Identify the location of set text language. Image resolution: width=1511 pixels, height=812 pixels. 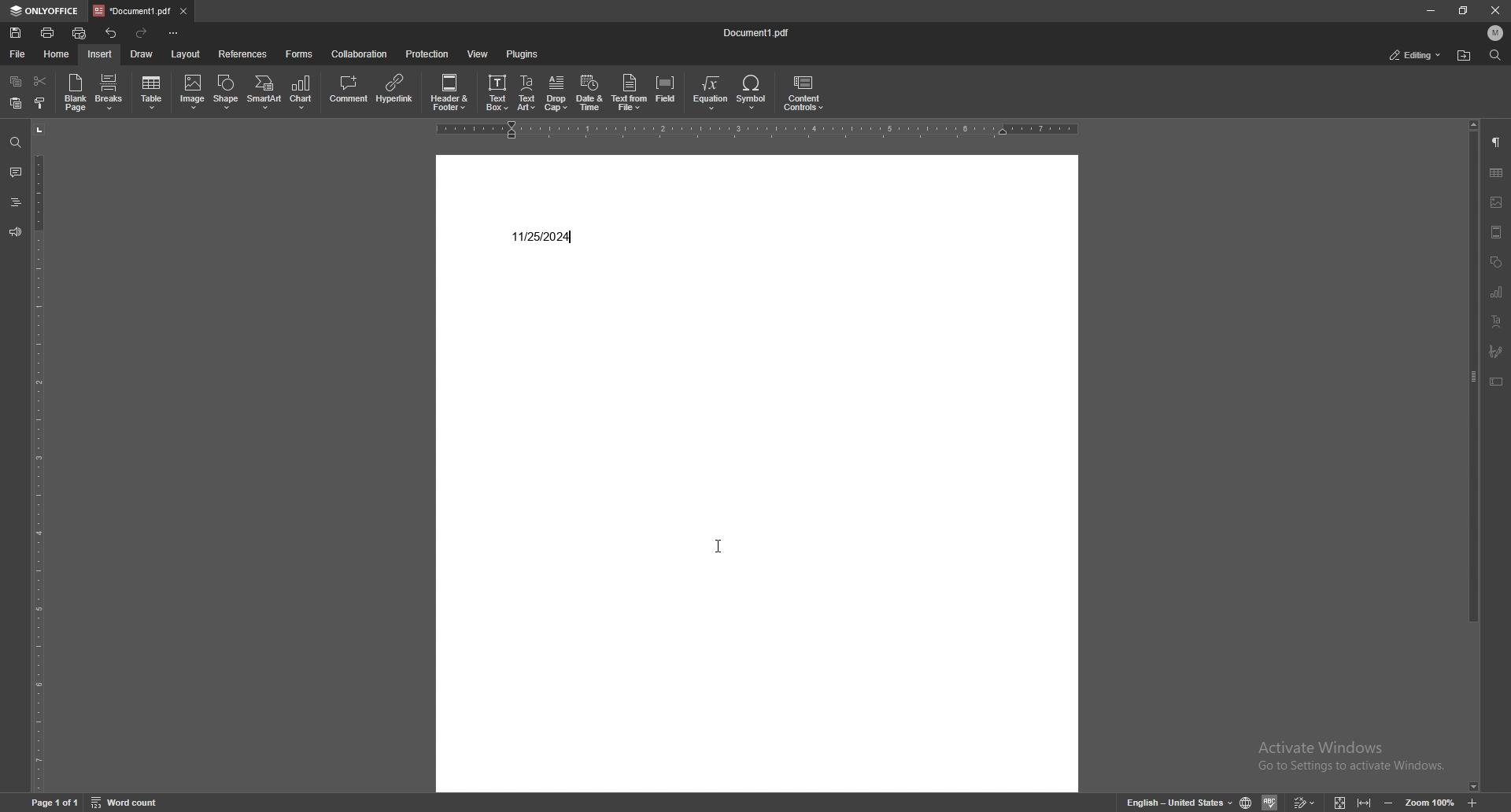
(1177, 802).